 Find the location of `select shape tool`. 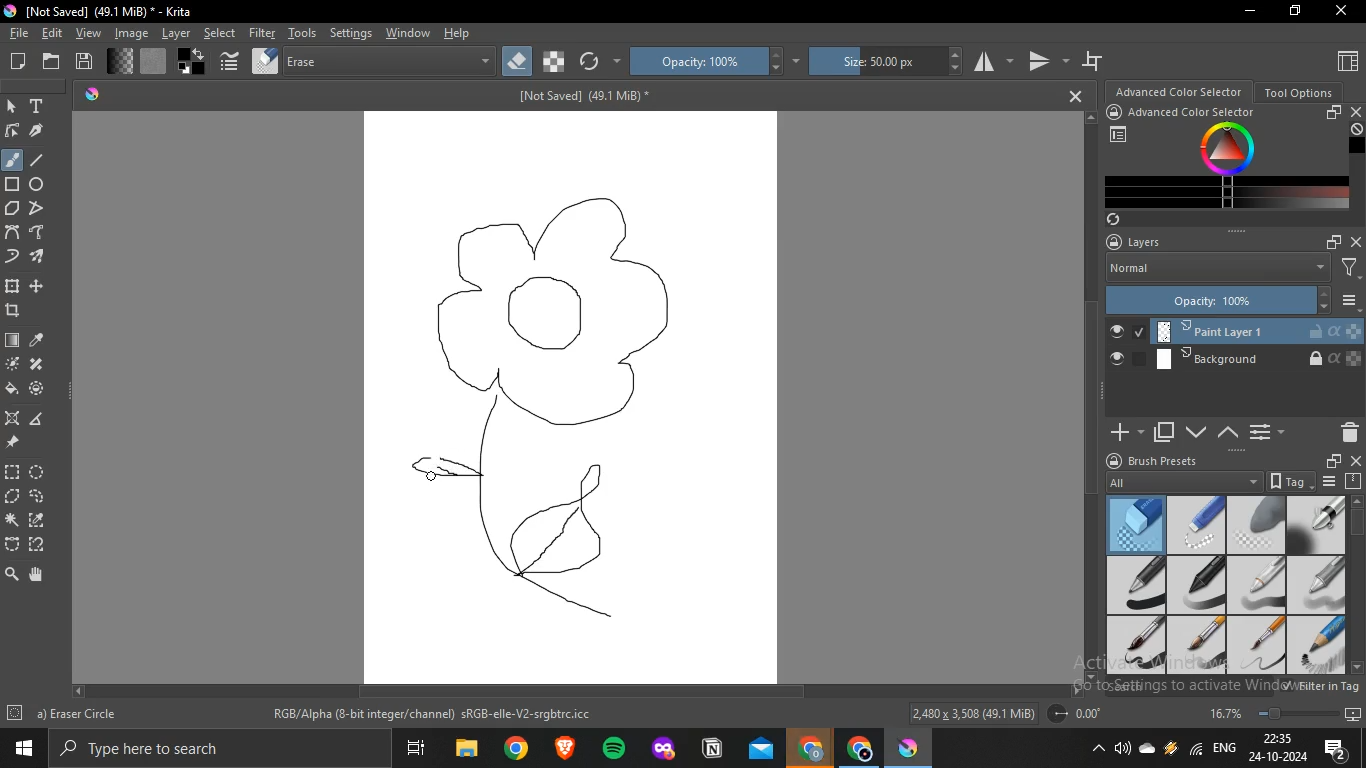

select shape tool is located at coordinates (13, 105).